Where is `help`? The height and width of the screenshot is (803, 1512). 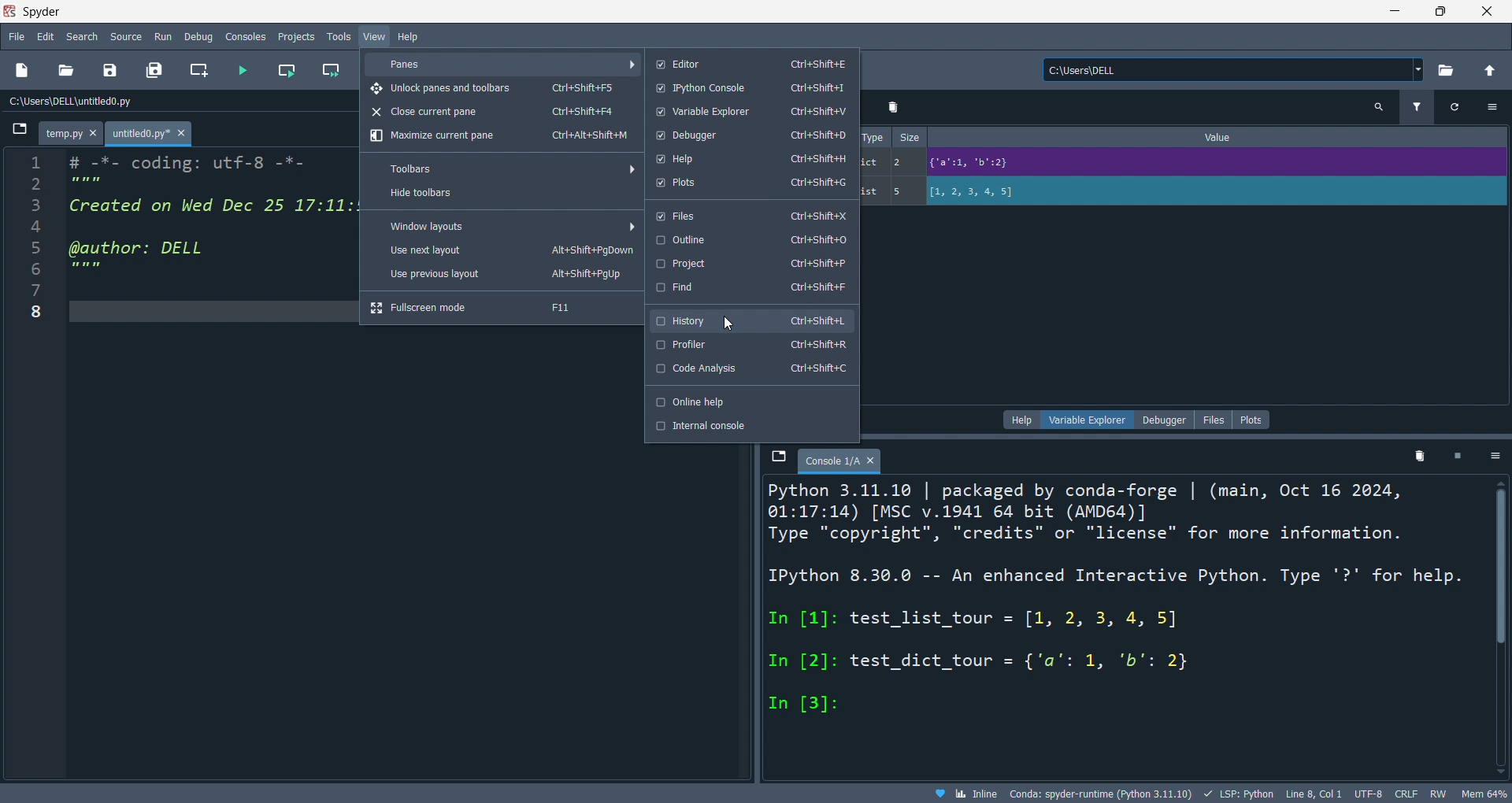
help is located at coordinates (1023, 420).